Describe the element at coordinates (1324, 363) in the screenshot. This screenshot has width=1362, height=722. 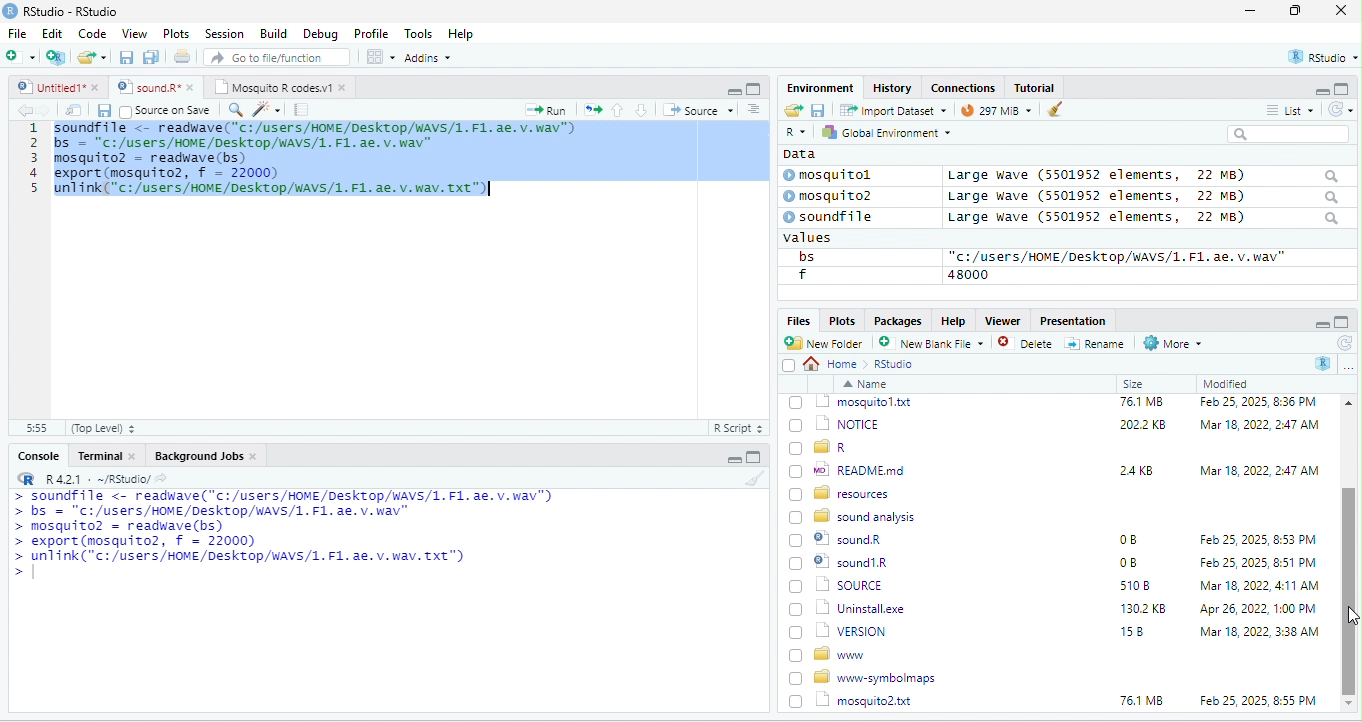
I see `R` at that location.